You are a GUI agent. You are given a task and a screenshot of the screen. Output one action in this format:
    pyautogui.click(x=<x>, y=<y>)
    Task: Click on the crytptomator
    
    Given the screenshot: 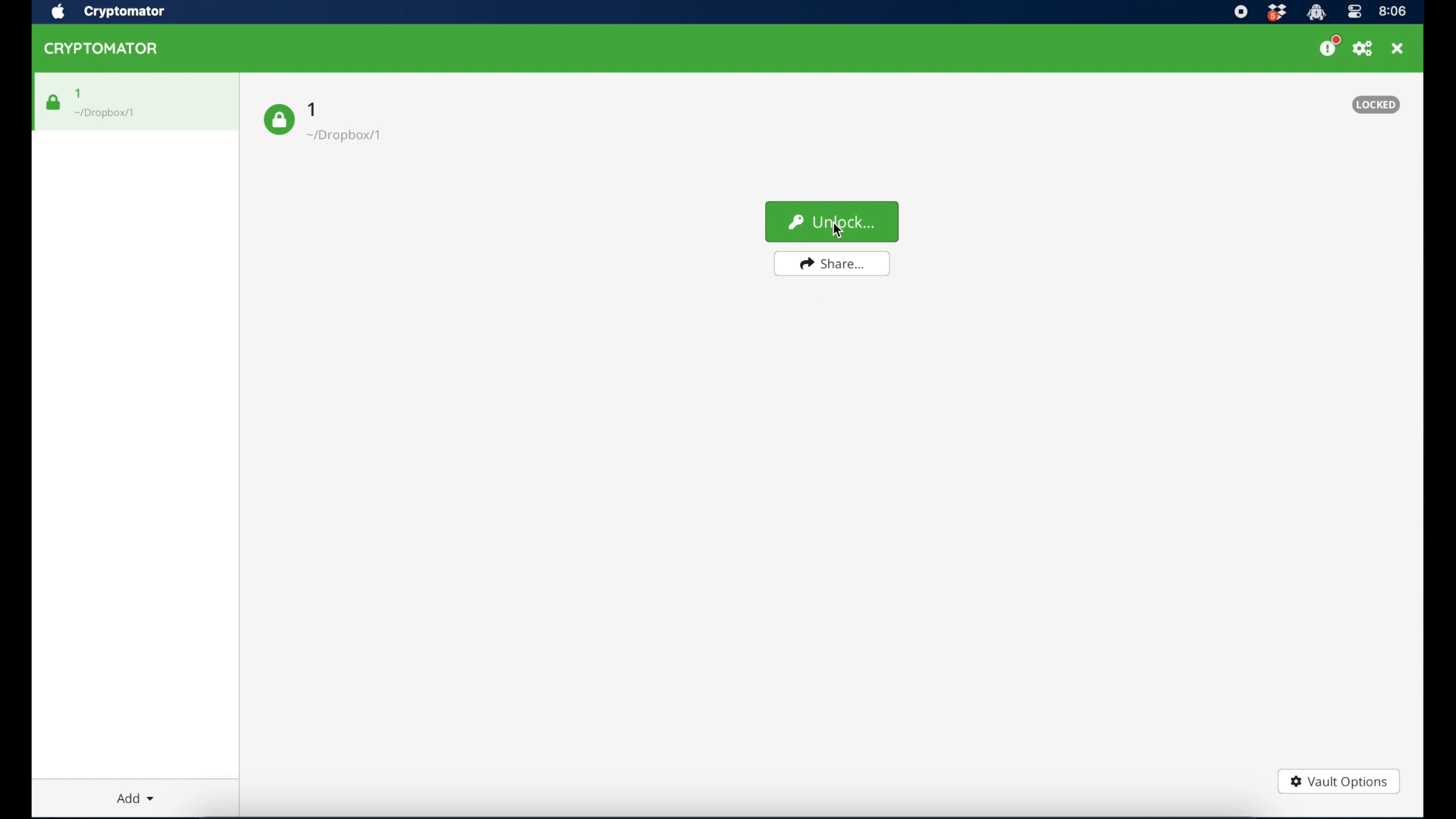 What is the action you would take?
    pyautogui.click(x=1316, y=13)
    